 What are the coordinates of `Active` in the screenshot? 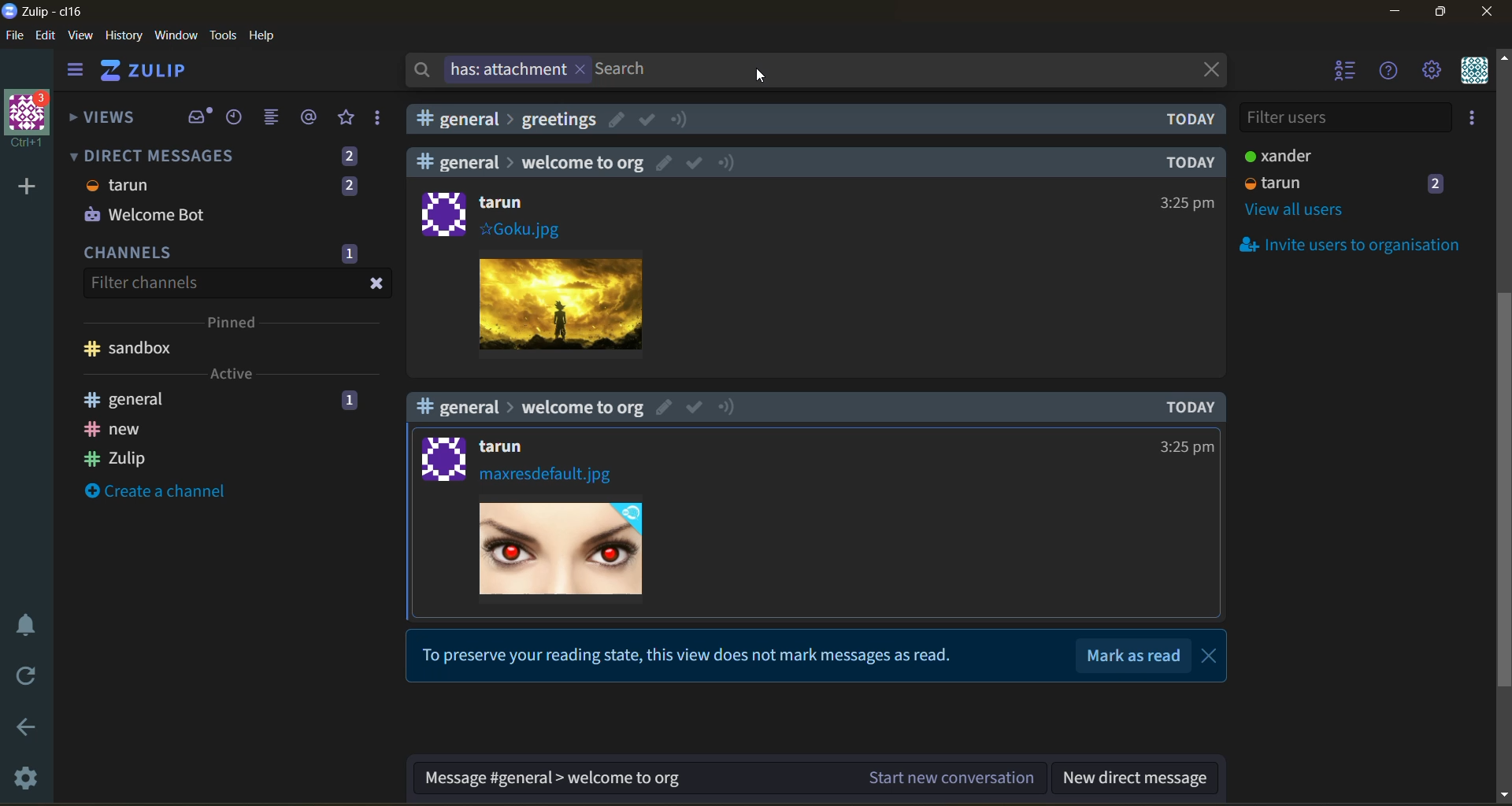 It's located at (230, 373).